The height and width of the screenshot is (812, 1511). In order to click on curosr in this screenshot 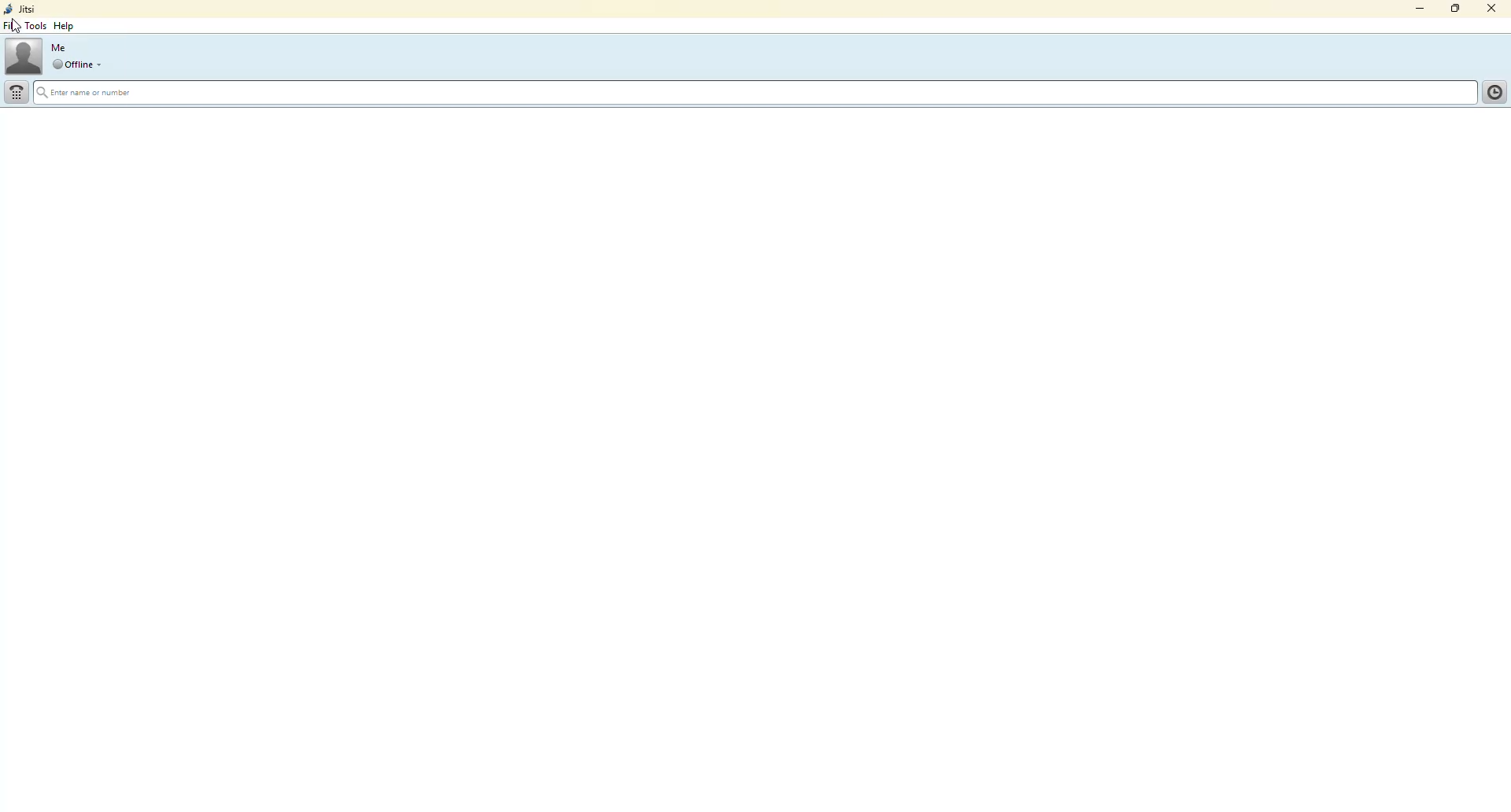, I will do `click(18, 24)`.